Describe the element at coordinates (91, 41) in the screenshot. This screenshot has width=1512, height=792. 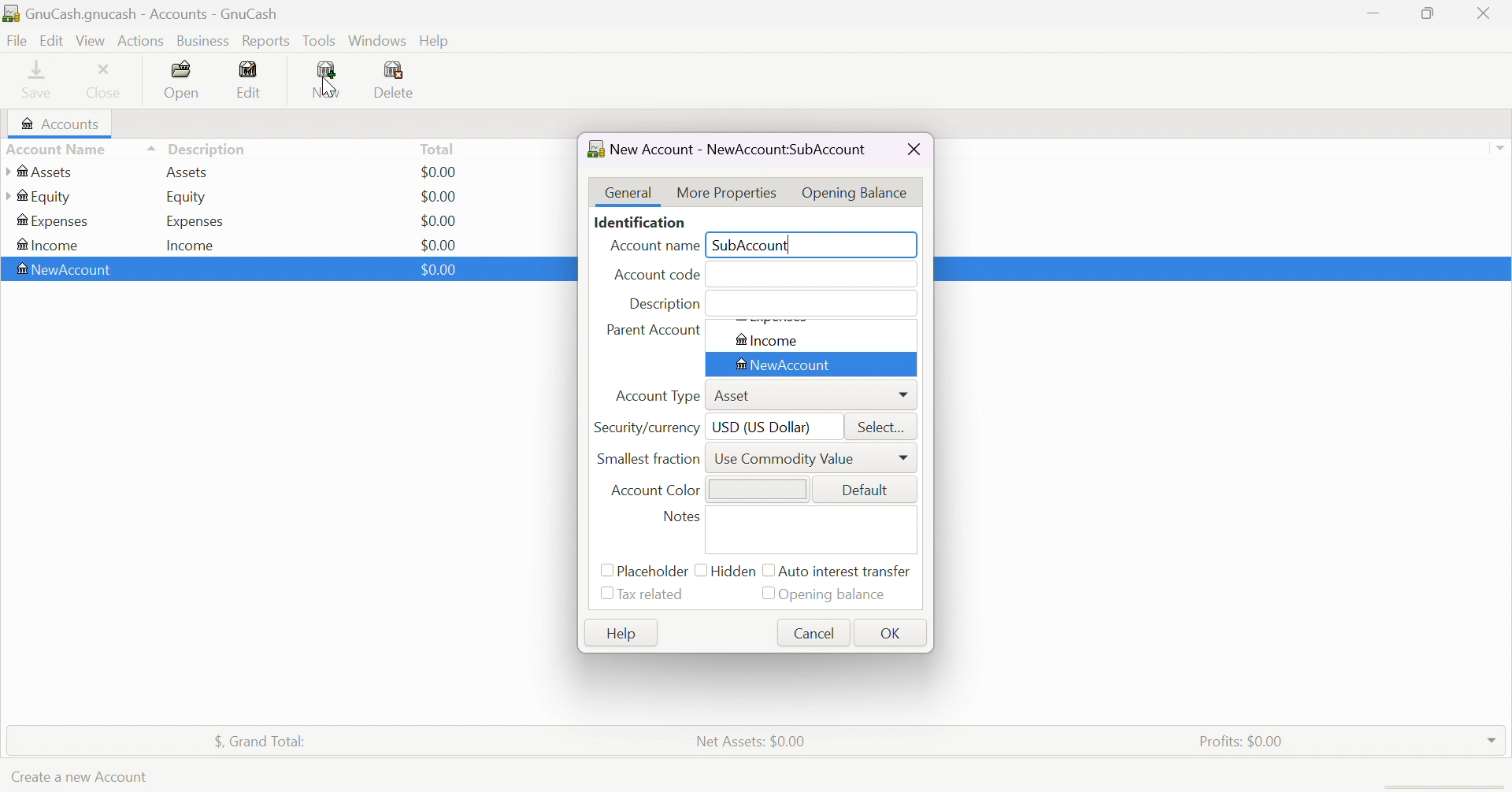
I see `View` at that location.